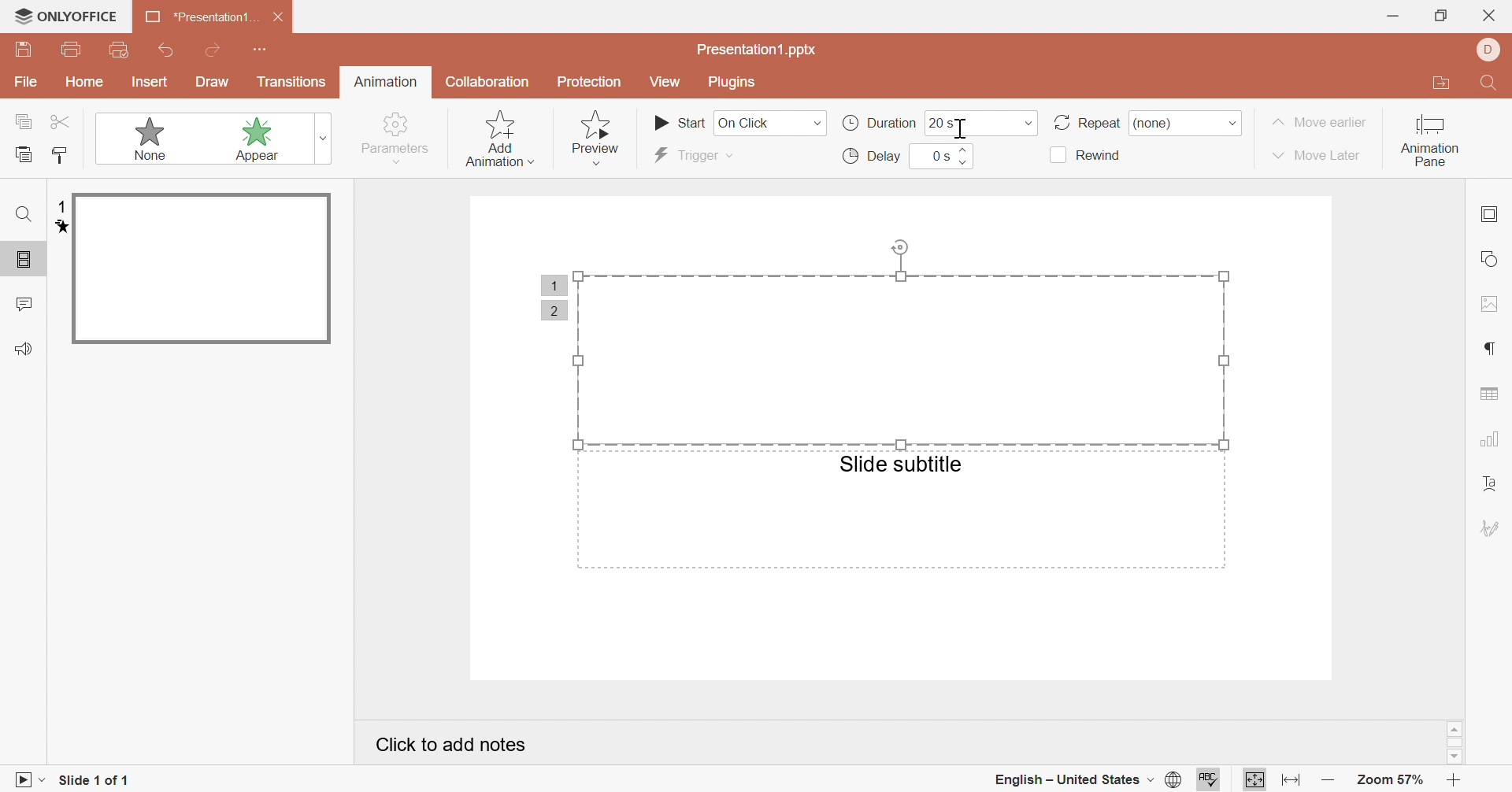  Describe the element at coordinates (201, 269) in the screenshot. I see `slide` at that location.